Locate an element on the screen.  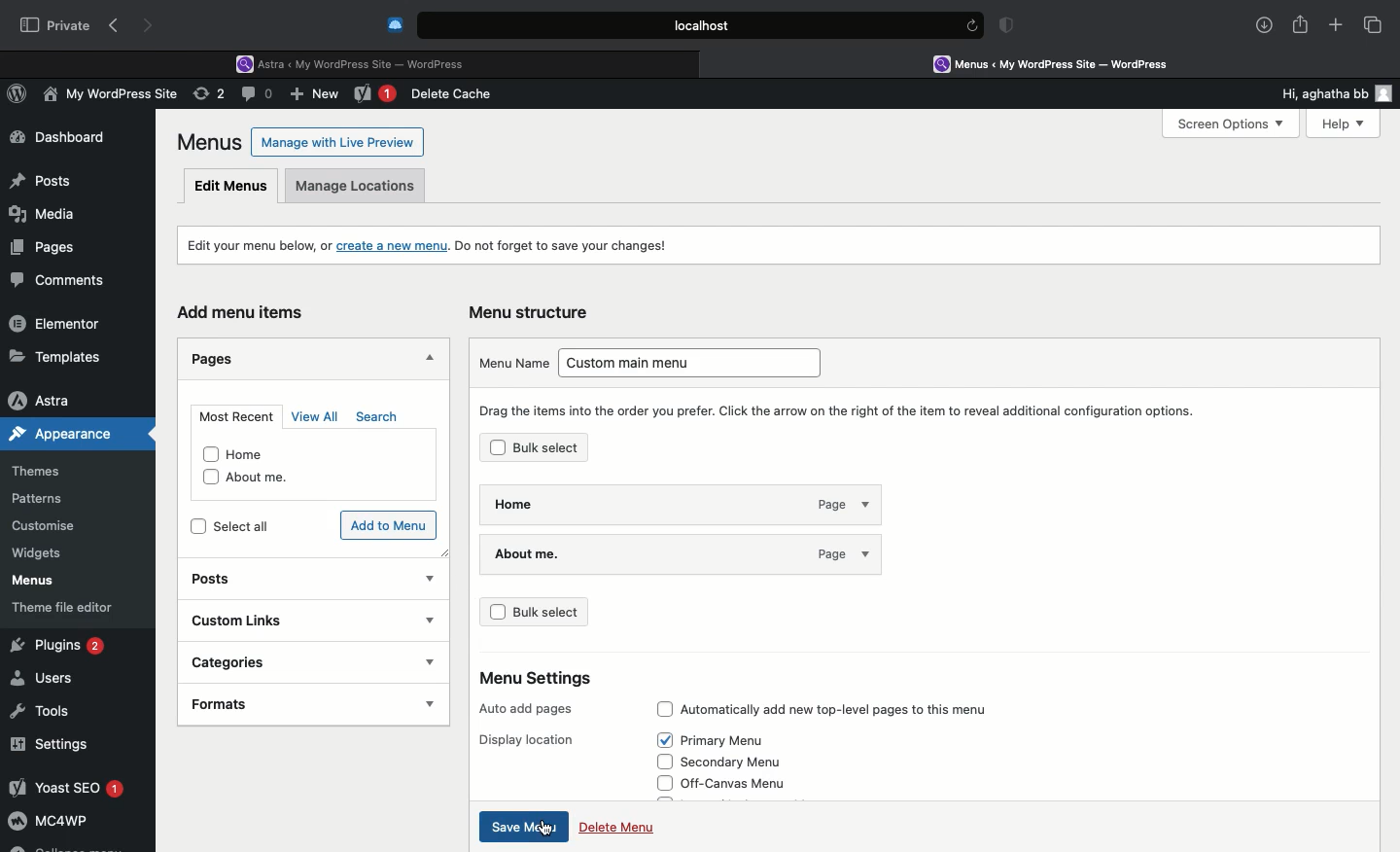
Primary Menu (Selected) is located at coordinates (737, 737).